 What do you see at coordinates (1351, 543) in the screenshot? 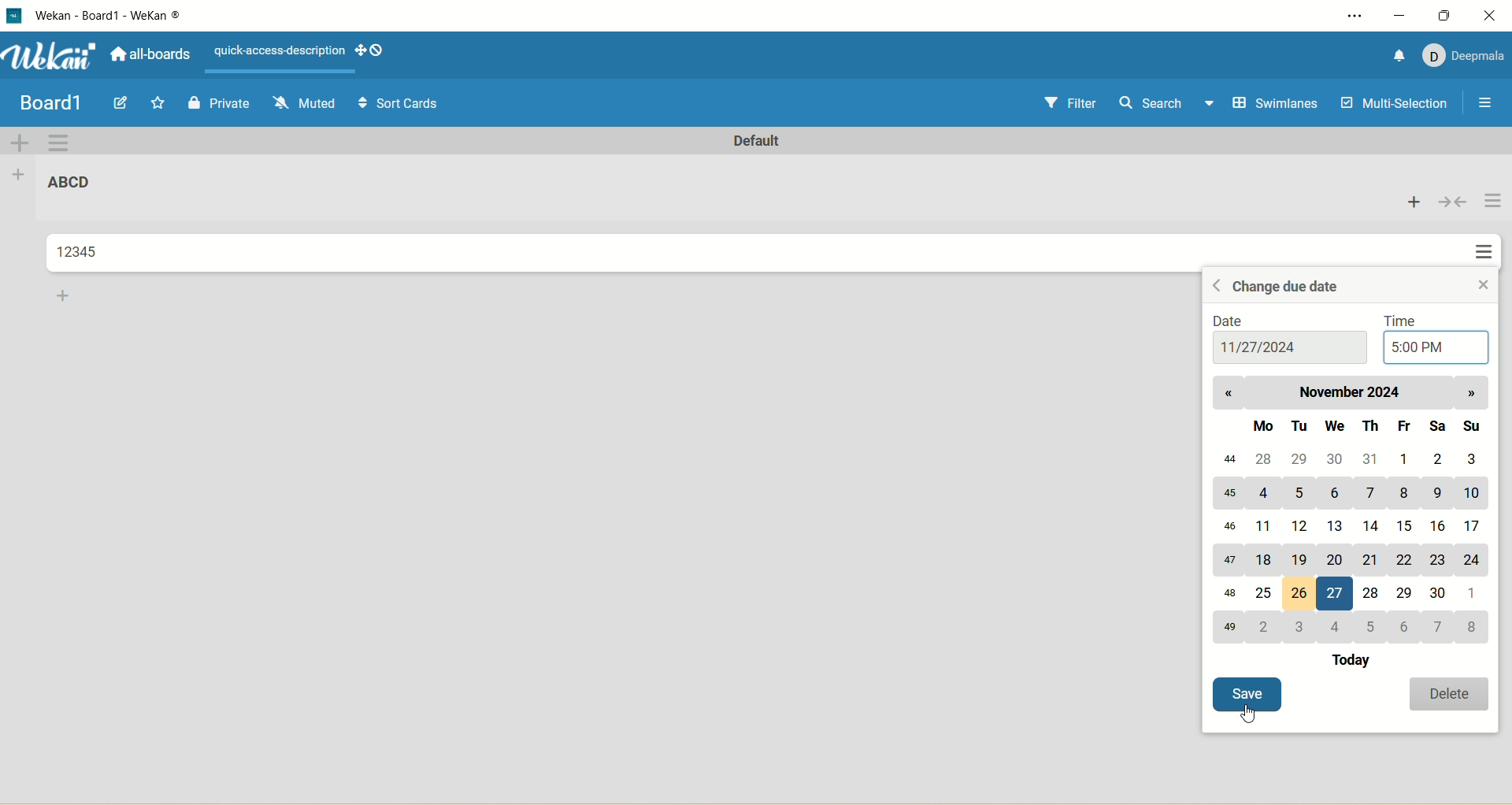
I see `calendar` at bounding box center [1351, 543].